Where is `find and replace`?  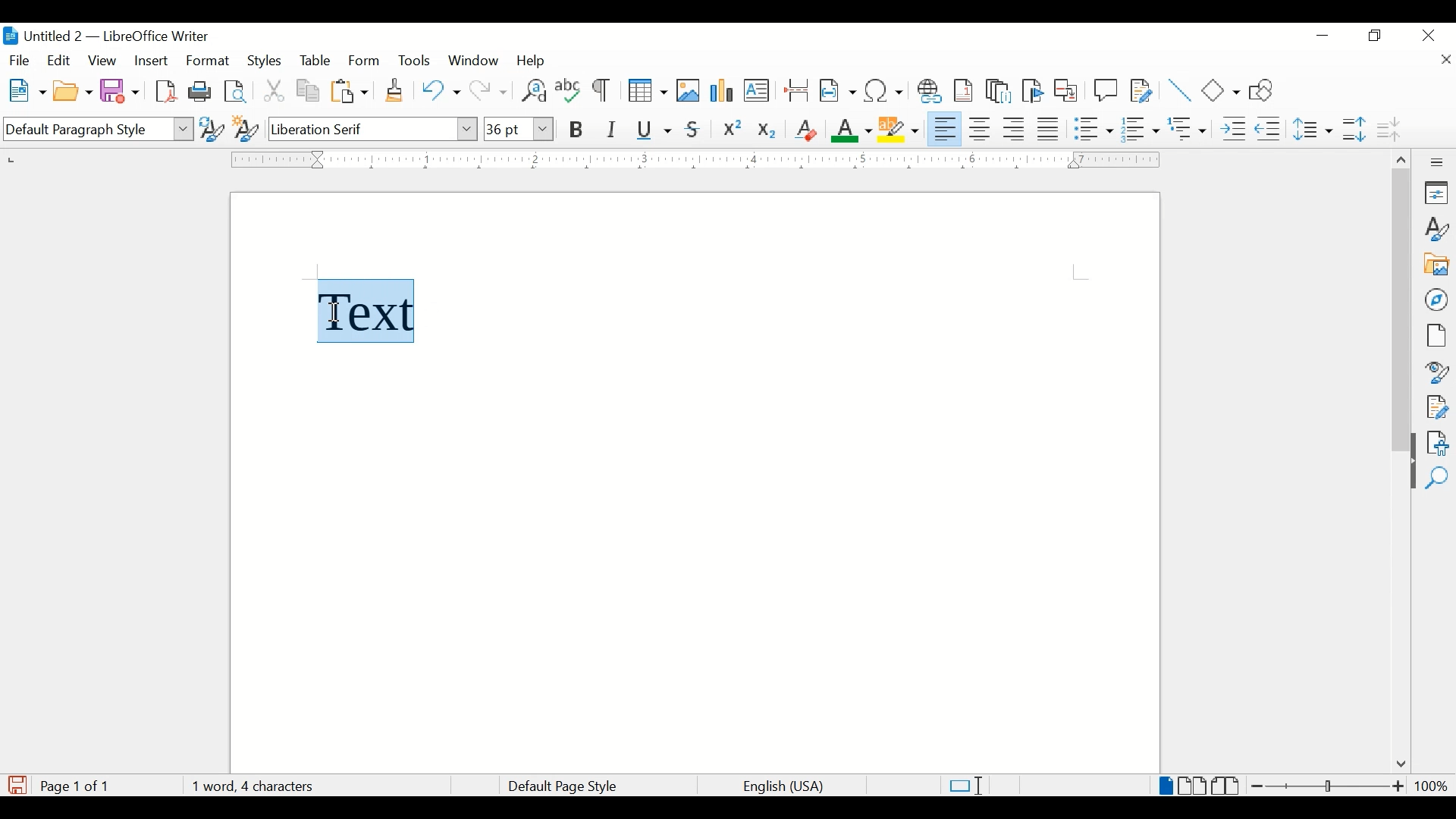
find and replace is located at coordinates (532, 90).